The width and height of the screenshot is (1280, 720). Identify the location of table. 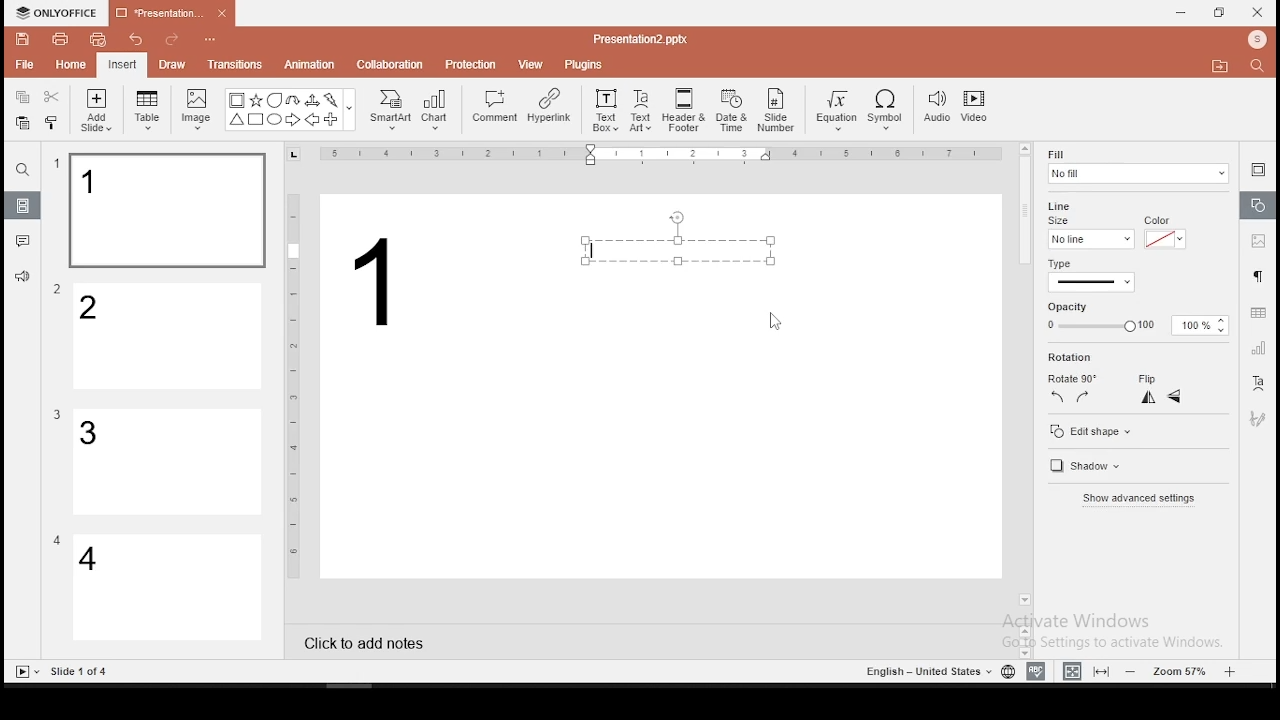
(150, 111).